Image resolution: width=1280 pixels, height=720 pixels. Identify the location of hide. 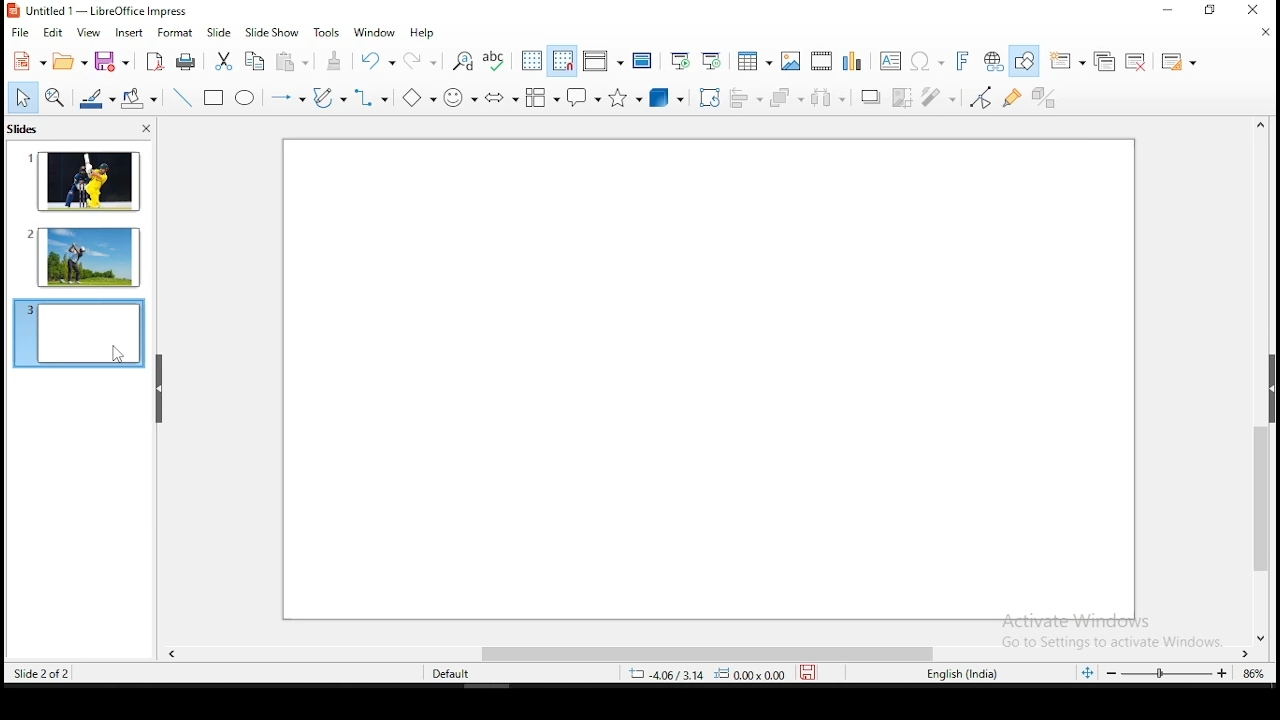
(160, 388).